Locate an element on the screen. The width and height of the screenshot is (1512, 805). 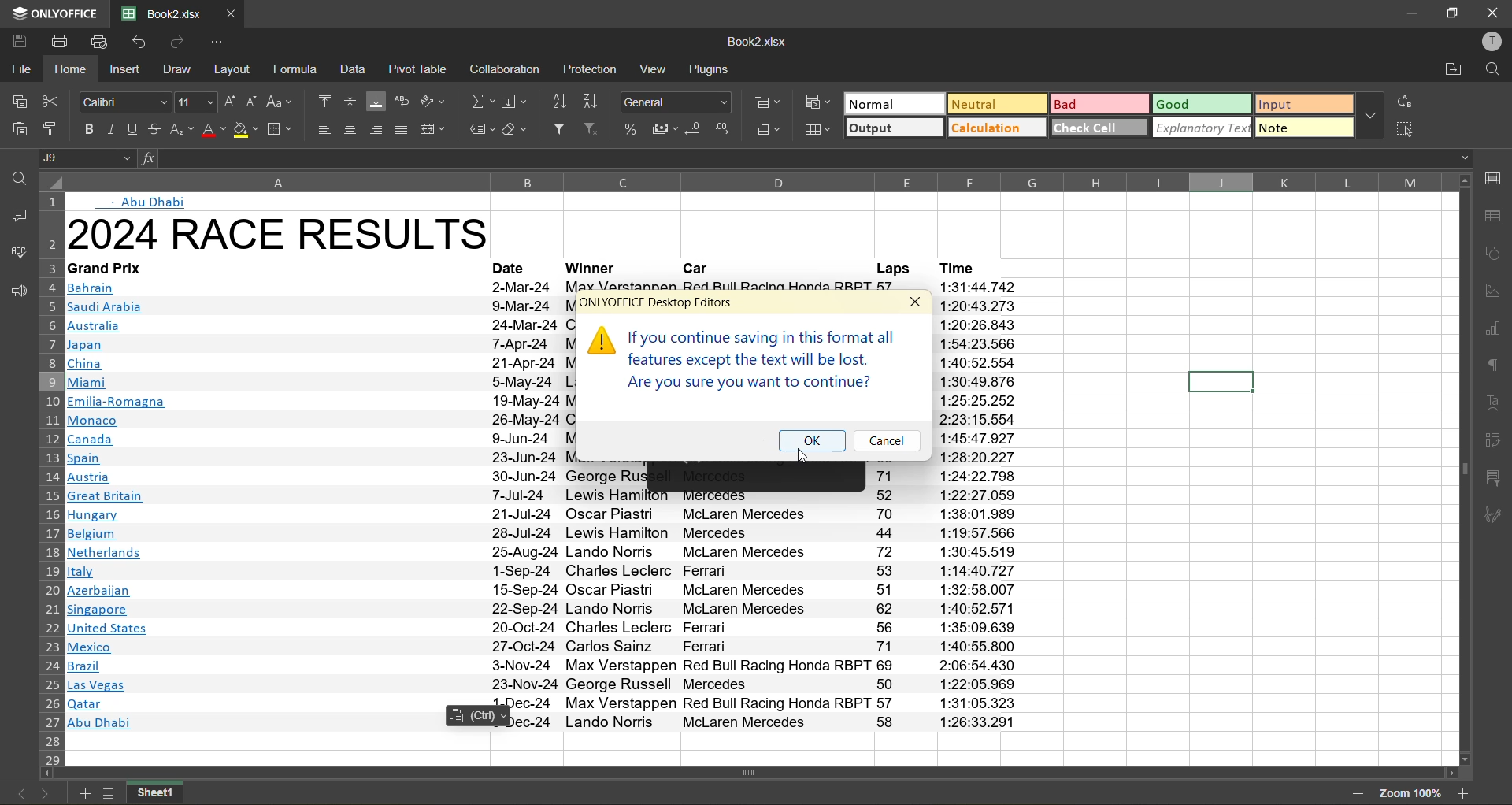
align right is located at coordinates (377, 130).